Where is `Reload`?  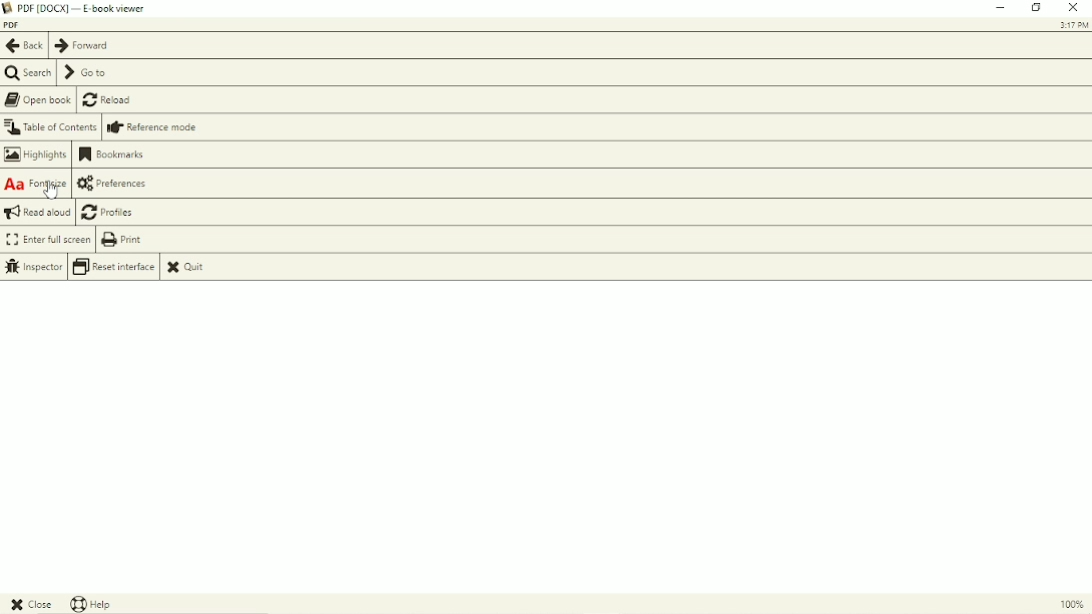
Reload is located at coordinates (111, 100).